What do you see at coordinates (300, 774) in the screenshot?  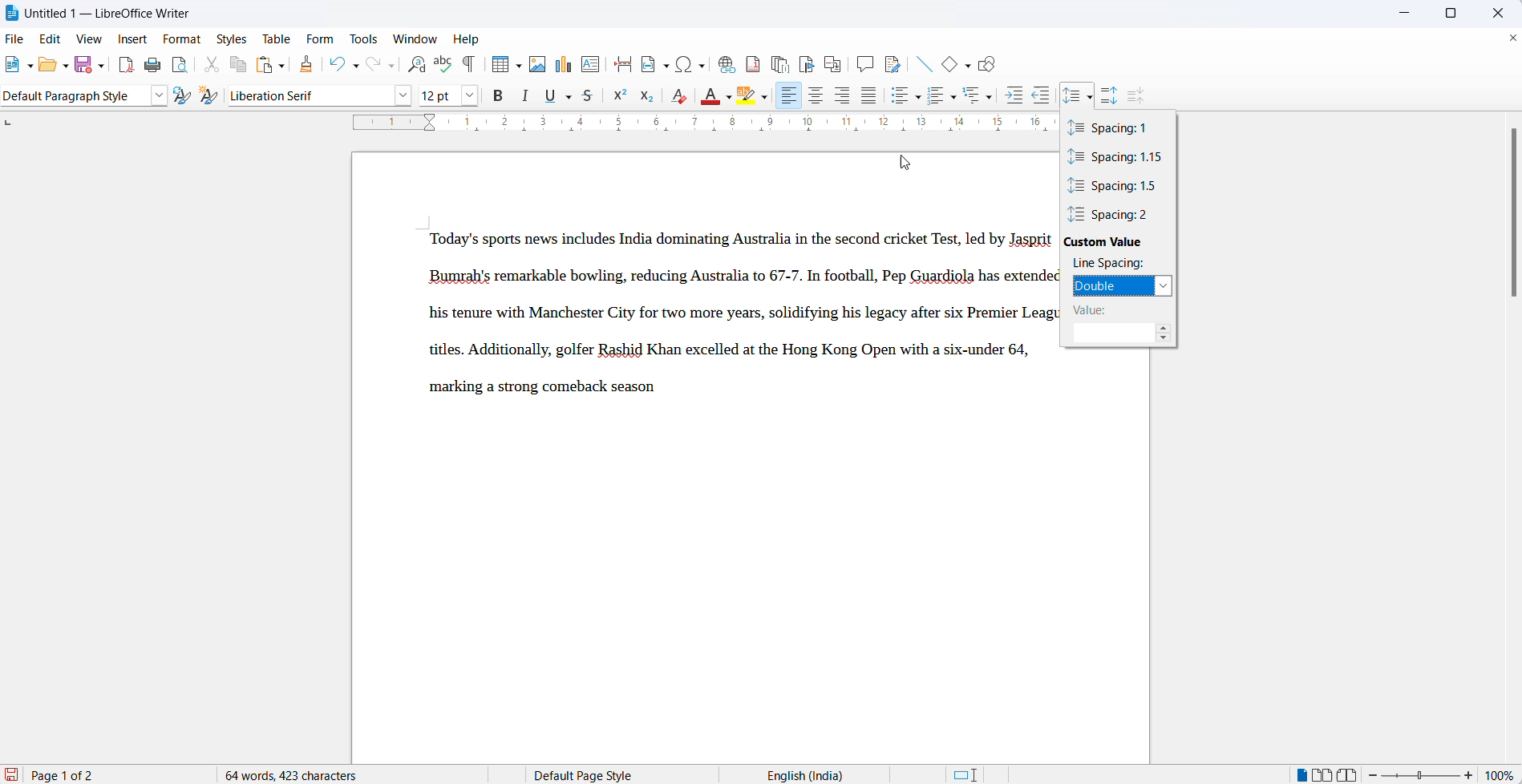 I see `64 words 423 characters ` at bounding box center [300, 774].